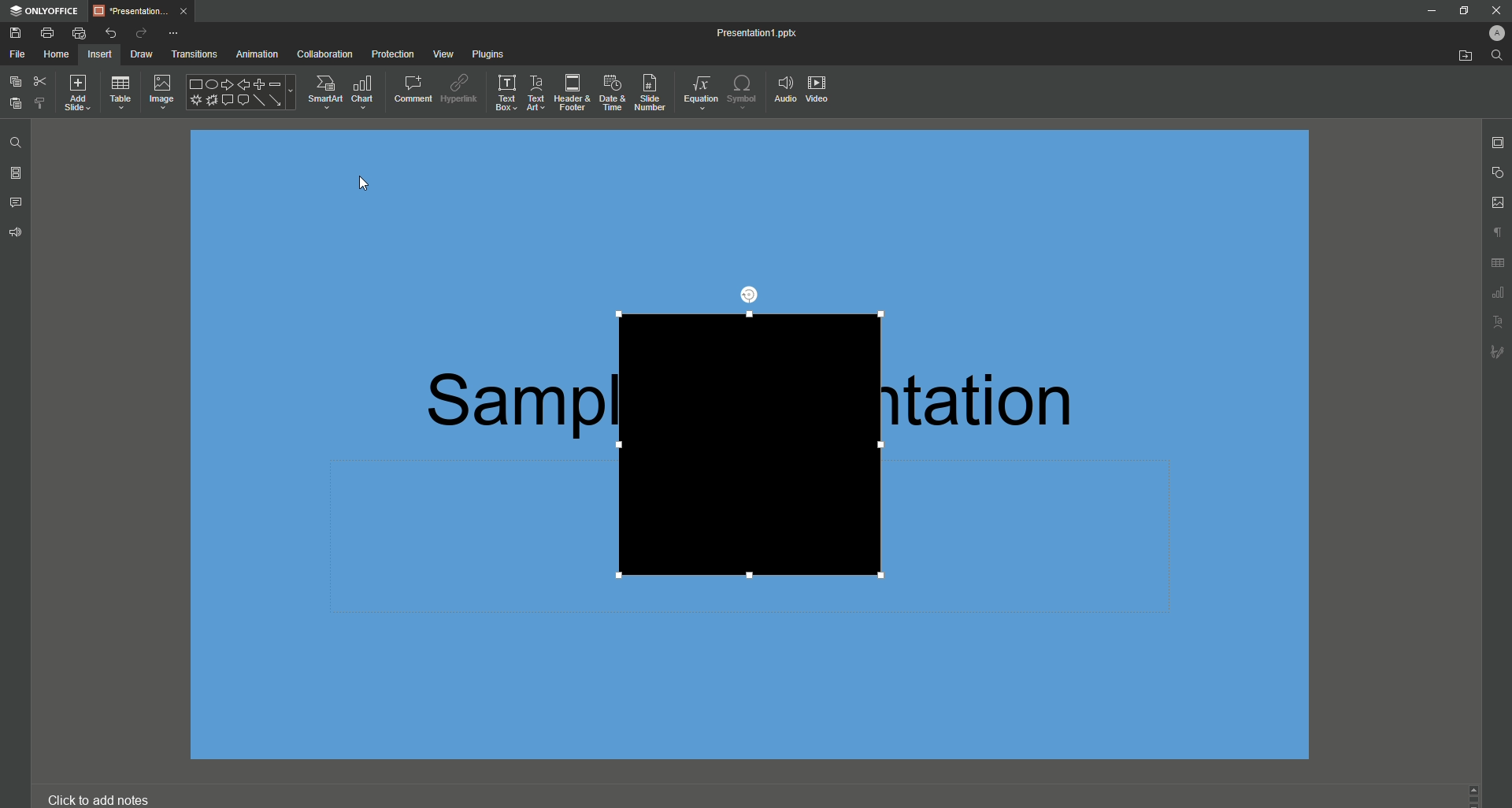 Image resolution: width=1512 pixels, height=808 pixels. I want to click on Shape Options, so click(239, 93).